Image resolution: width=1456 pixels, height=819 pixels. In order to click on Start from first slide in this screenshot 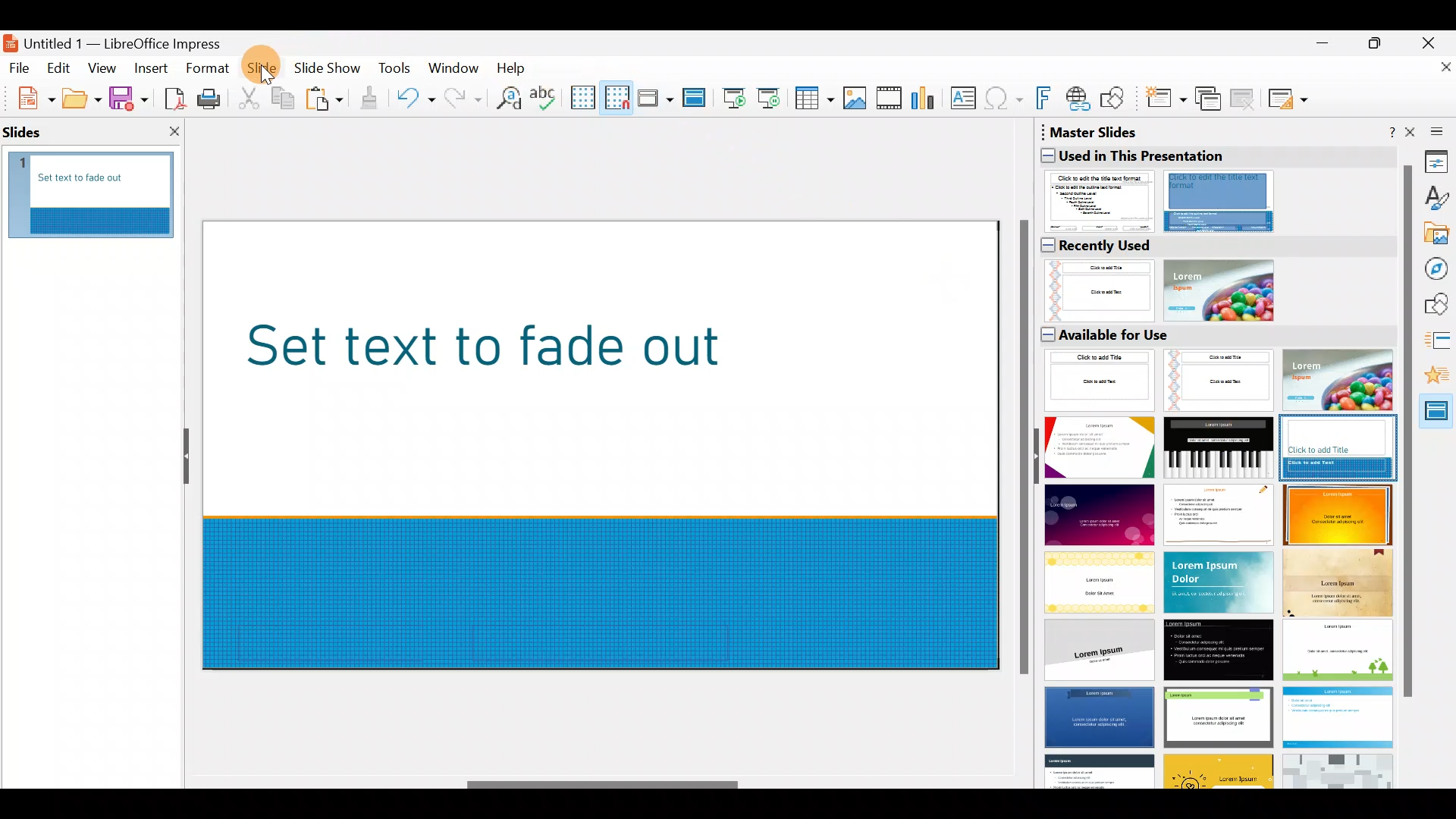, I will do `click(734, 96)`.